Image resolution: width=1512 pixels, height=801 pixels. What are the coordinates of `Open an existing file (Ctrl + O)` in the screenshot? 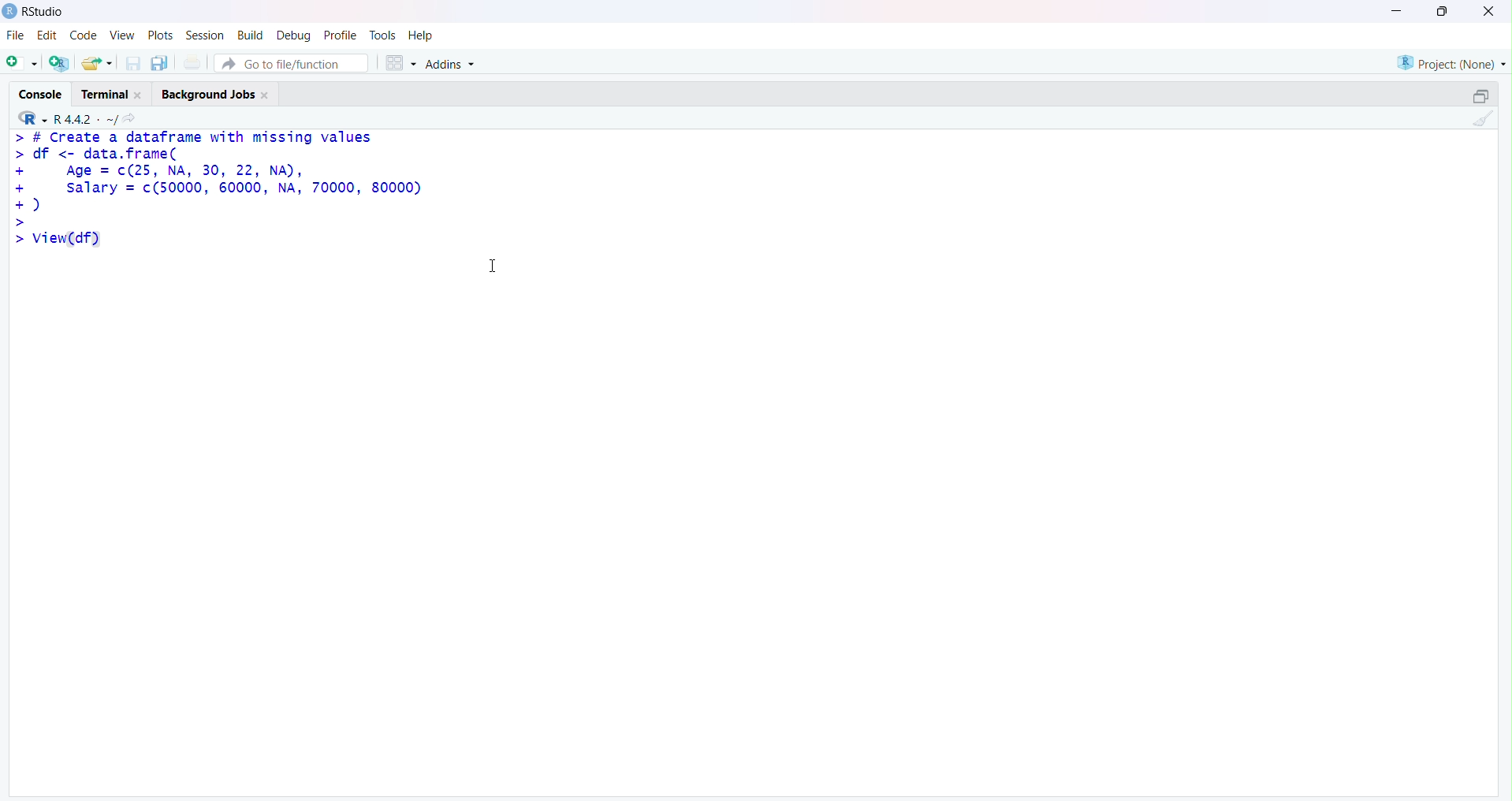 It's located at (97, 62).